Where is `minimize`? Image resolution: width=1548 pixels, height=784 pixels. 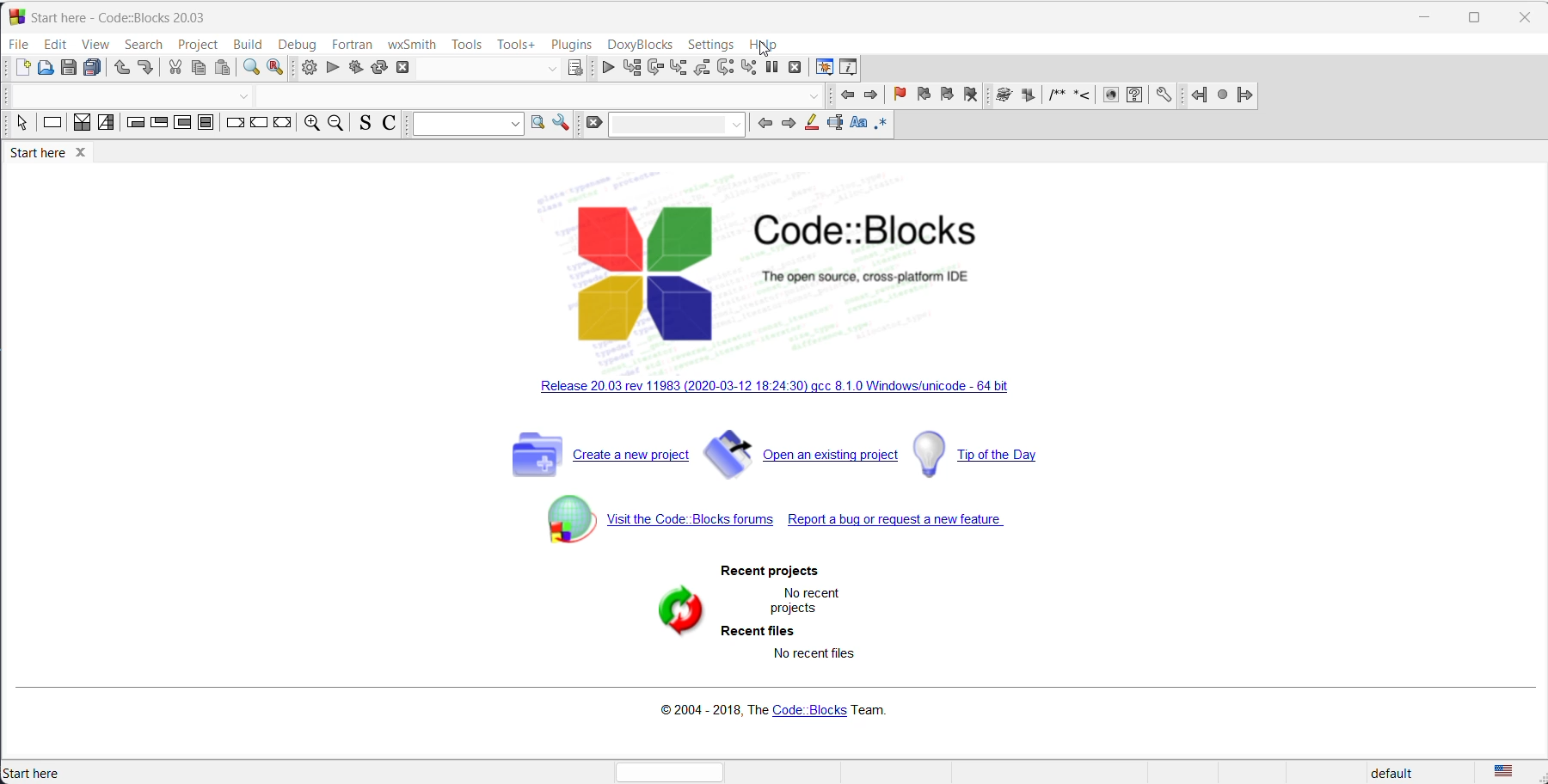 minimize is located at coordinates (1423, 16).